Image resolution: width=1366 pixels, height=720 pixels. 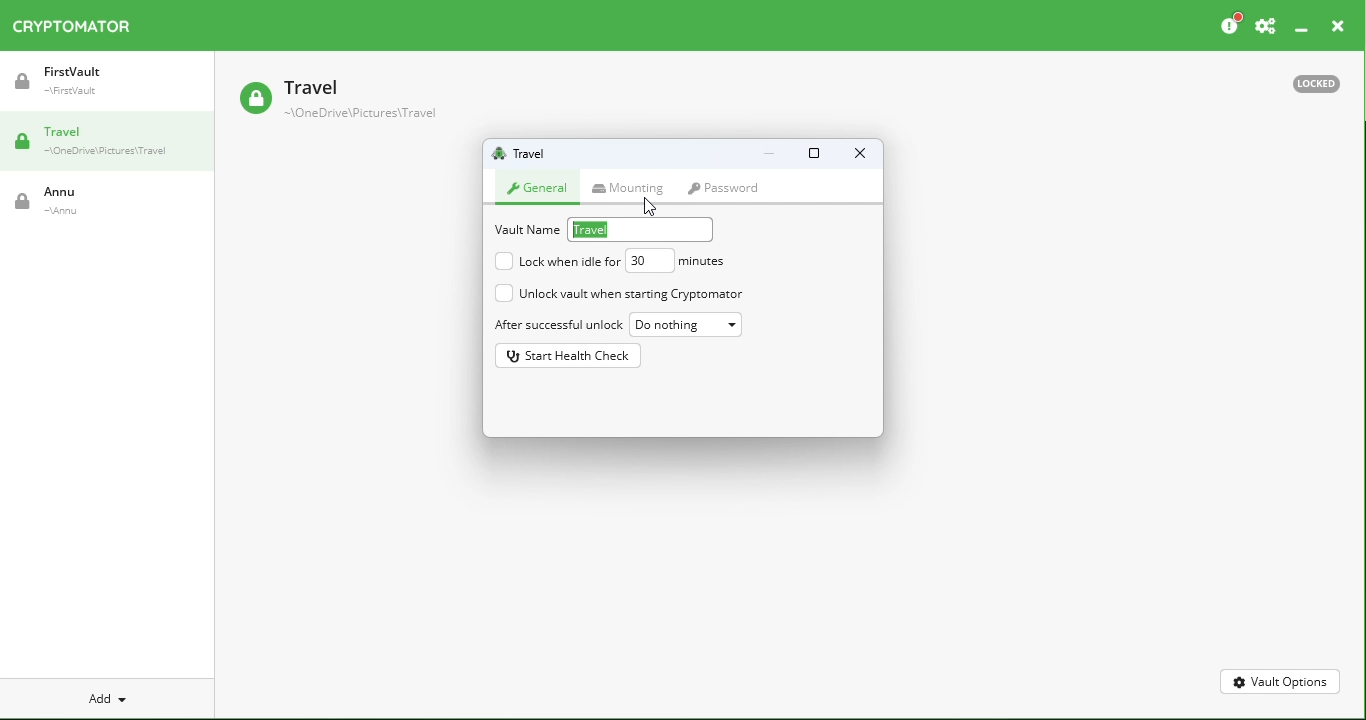 I want to click on Mounting, so click(x=636, y=187).